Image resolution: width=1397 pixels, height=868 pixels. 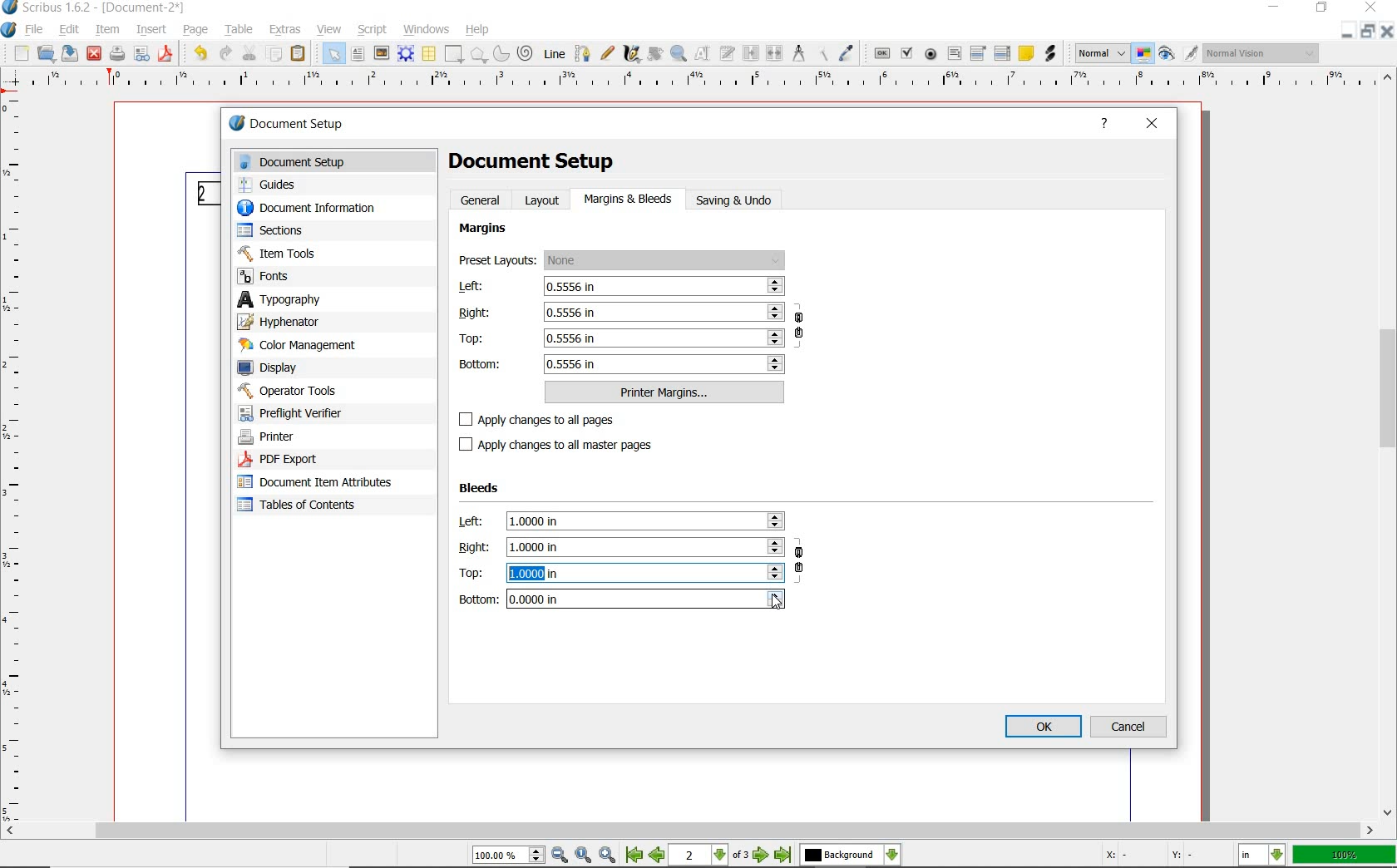 I want to click on insert, so click(x=151, y=30).